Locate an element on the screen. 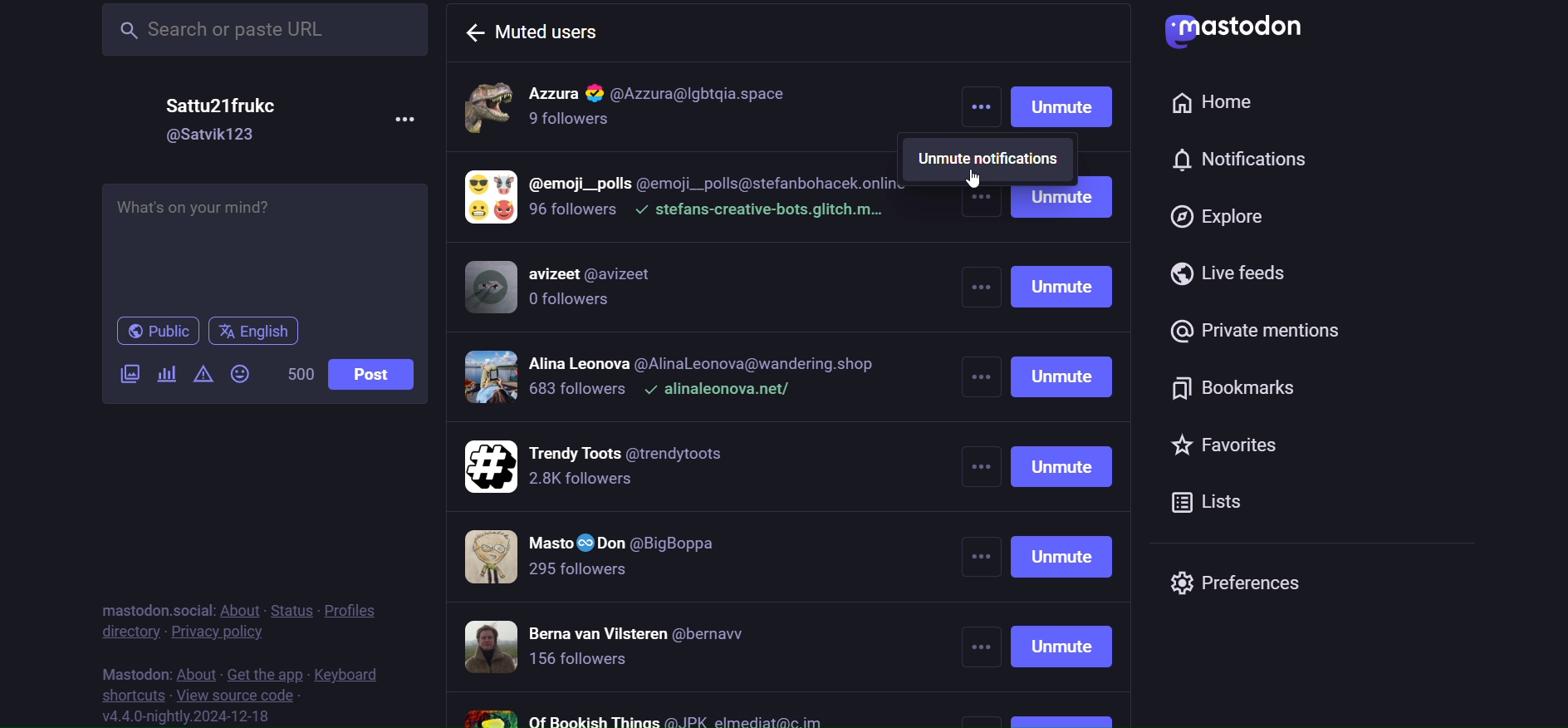 The image size is (1568, 728). poll is located at coordinates (164, 372).